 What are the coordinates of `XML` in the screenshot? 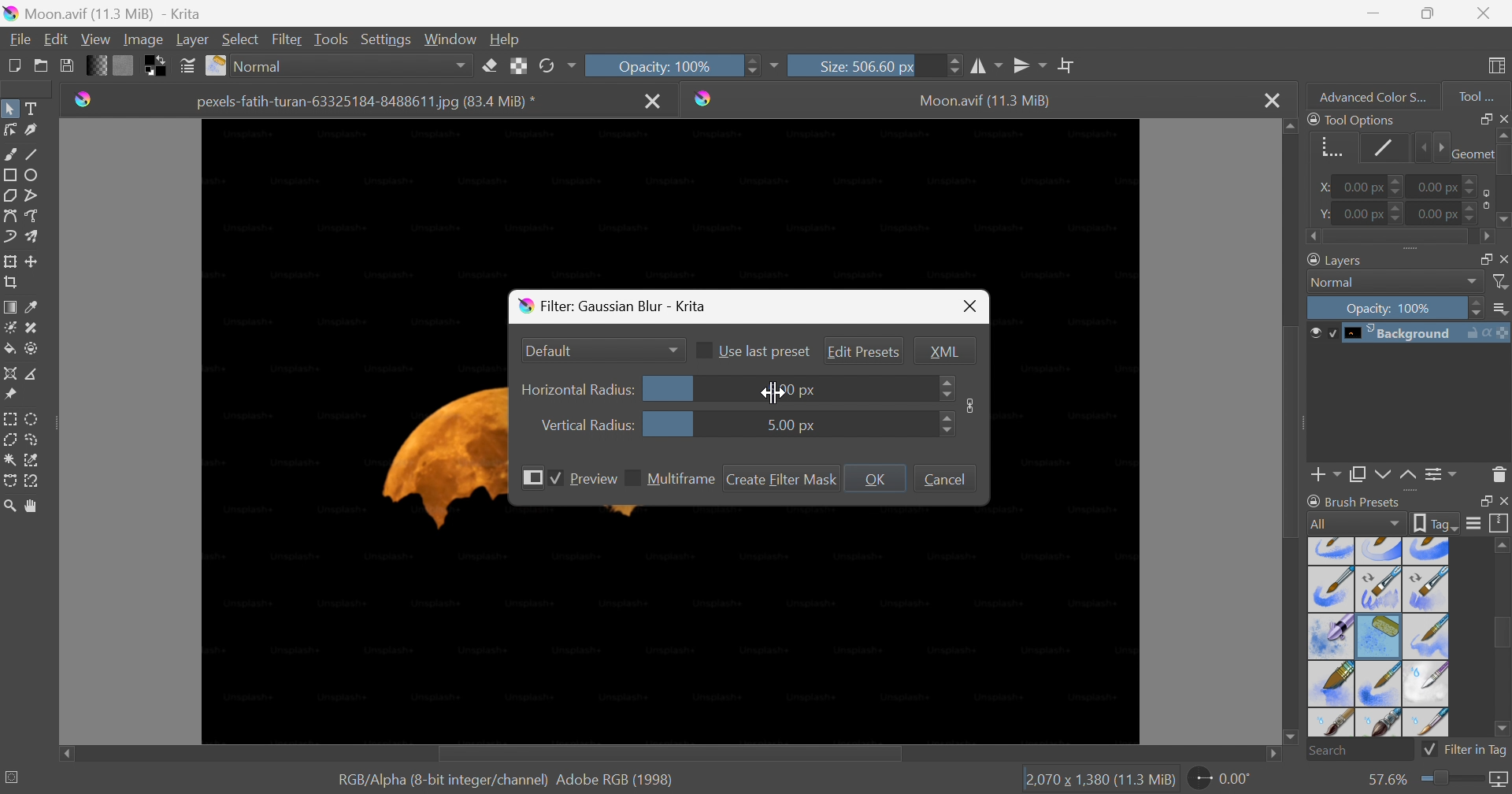 It's located at (944, 351).